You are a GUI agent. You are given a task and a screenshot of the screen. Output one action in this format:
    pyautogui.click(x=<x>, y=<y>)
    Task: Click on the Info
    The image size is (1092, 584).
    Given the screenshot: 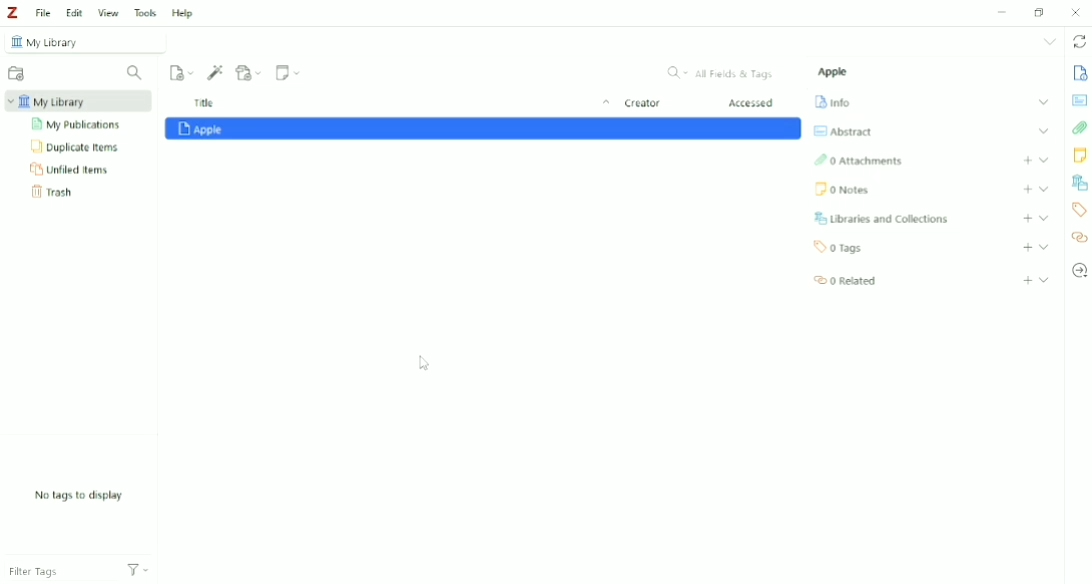 What is the action you would take?
    pyautogui.click(x=834, y=102)
    